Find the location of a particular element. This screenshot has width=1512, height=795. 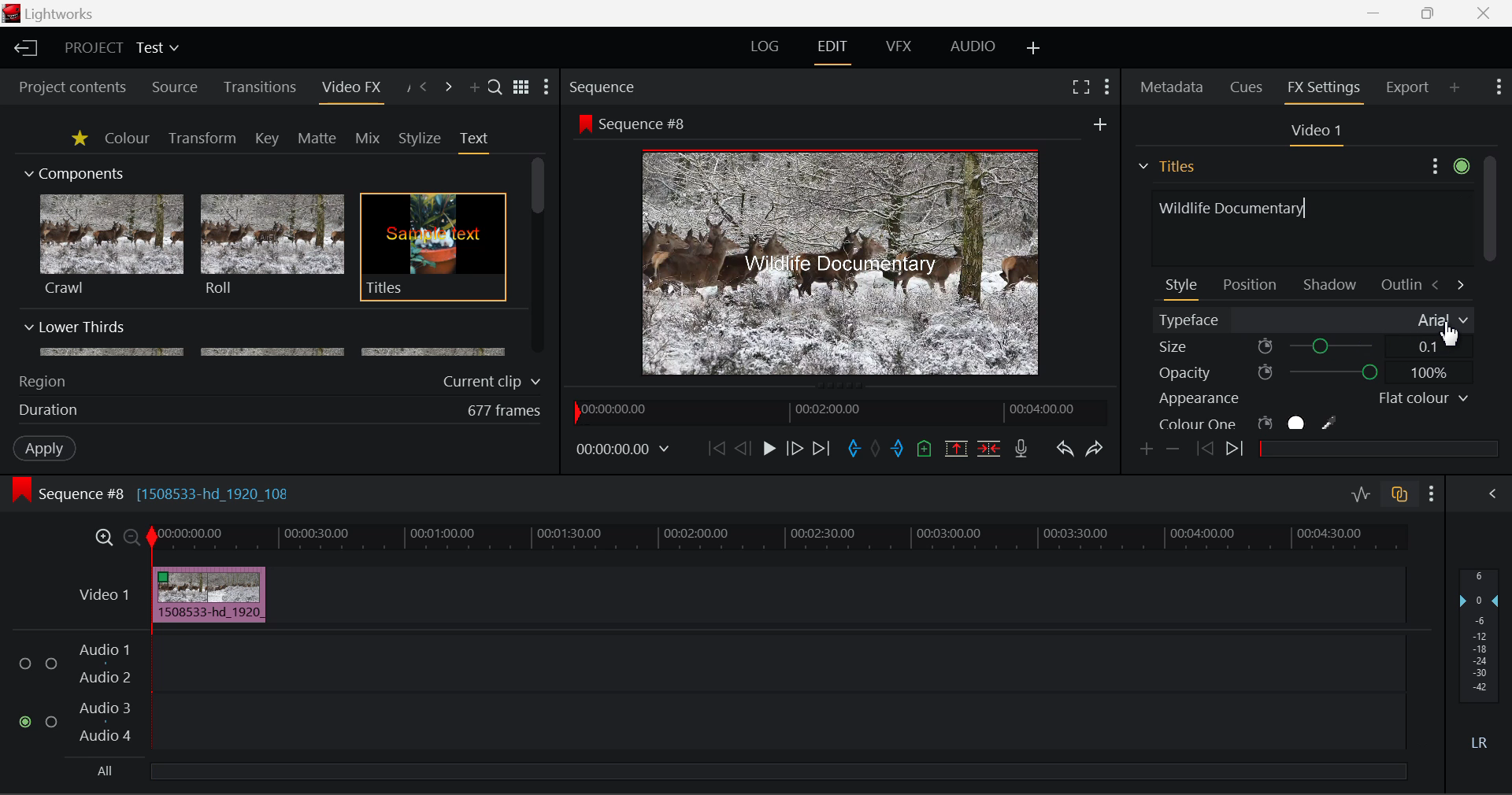

checked checkbox is located at coordinates (28, 723).